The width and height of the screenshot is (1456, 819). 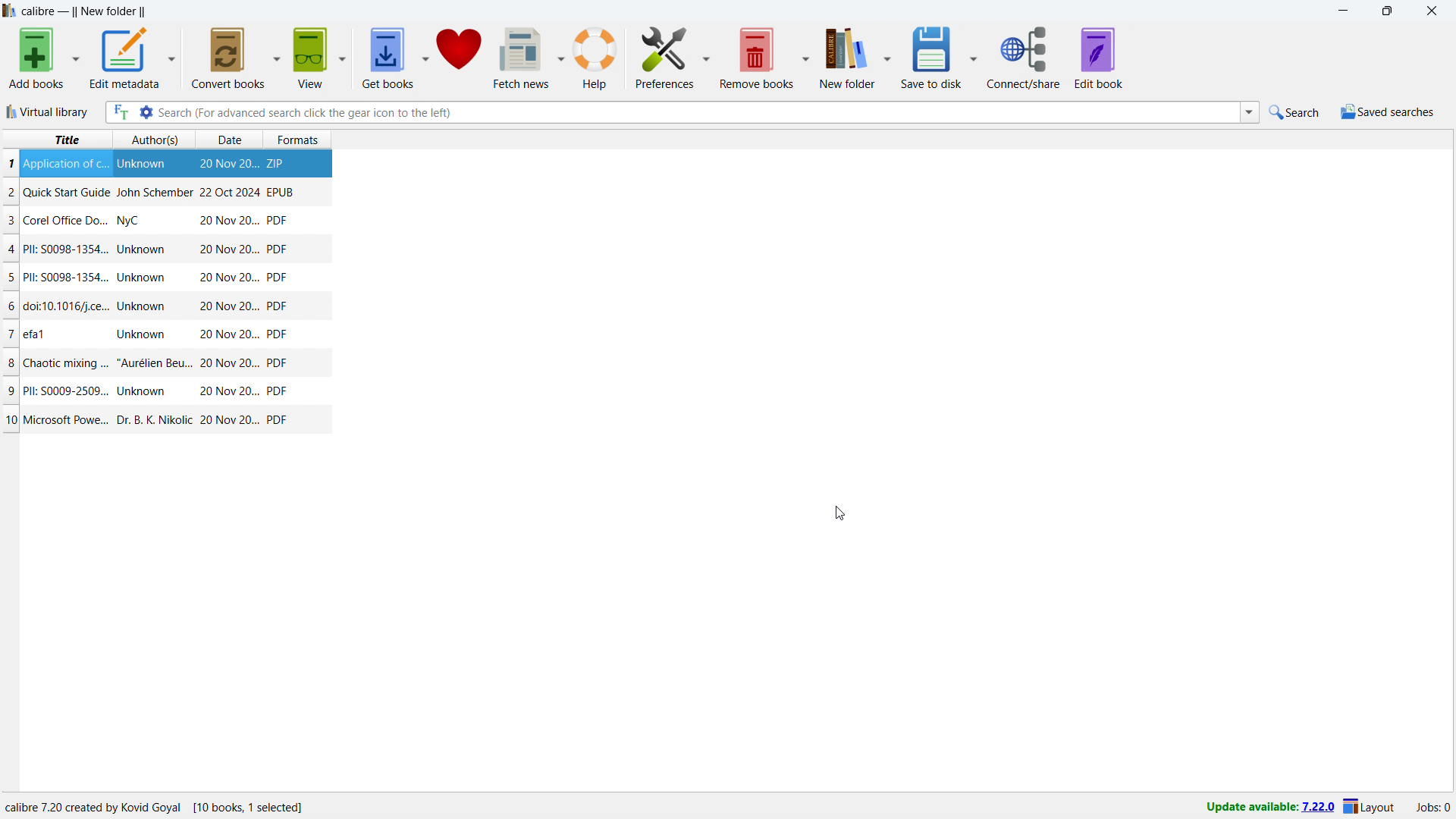 What do you see at coordinates (304, 137) in the screenshot?
I see `formats` at bounding box center [304, 137].